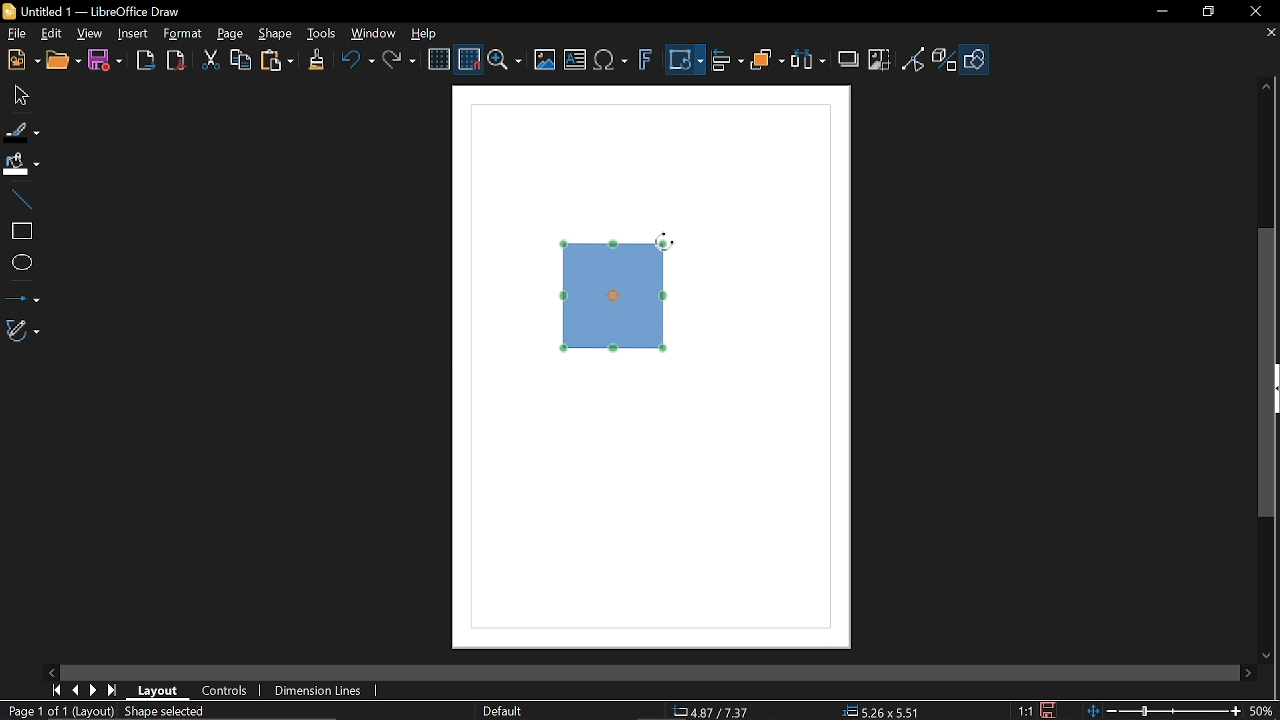 The width and height of the screenshot is (1280, 720). Describe the element at coordinates (1162, 711) in the screenshot. I see `Change zoom` at that location.